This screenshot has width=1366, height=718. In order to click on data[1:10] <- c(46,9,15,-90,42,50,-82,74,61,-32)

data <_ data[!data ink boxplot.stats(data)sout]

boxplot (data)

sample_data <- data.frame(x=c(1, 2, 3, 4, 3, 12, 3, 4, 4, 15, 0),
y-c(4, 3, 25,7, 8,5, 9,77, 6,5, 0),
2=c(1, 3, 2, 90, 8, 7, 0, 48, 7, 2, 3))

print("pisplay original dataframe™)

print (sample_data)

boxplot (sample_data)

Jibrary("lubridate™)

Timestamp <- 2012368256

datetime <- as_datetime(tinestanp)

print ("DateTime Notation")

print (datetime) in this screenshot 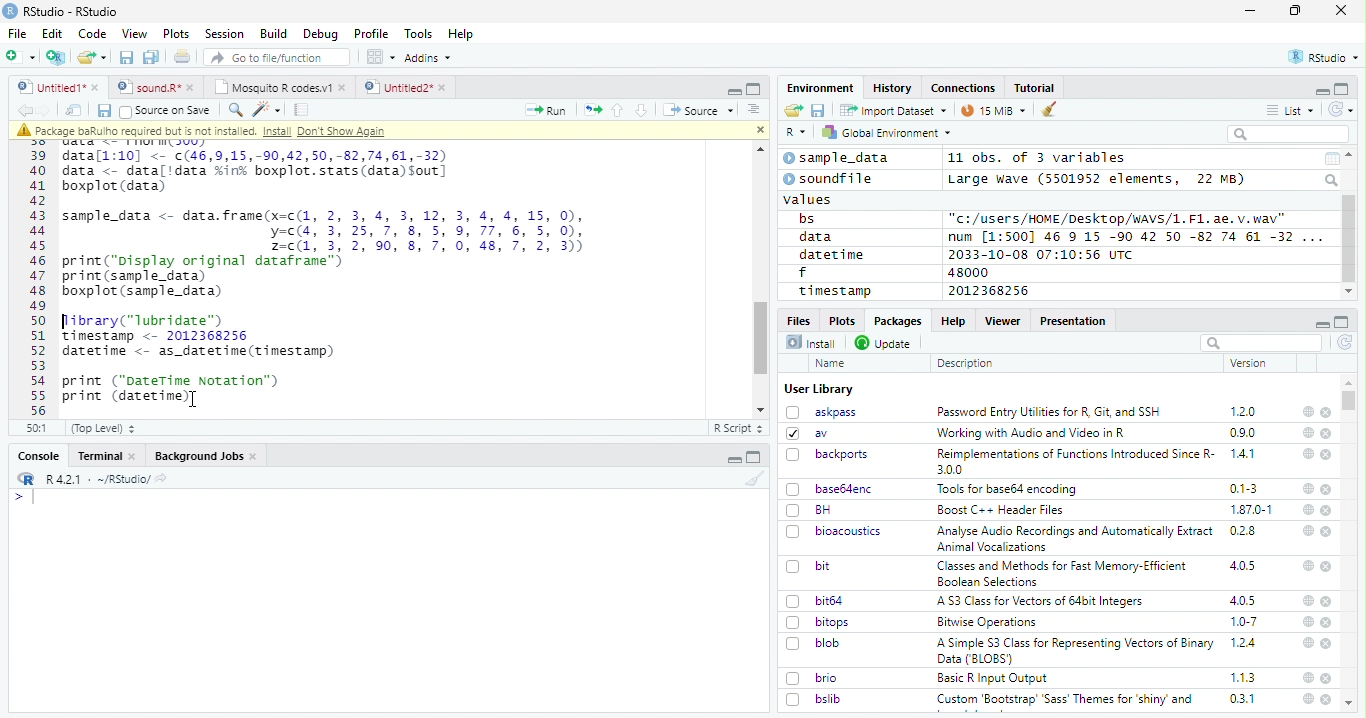, I will do `click(333, 276)`.